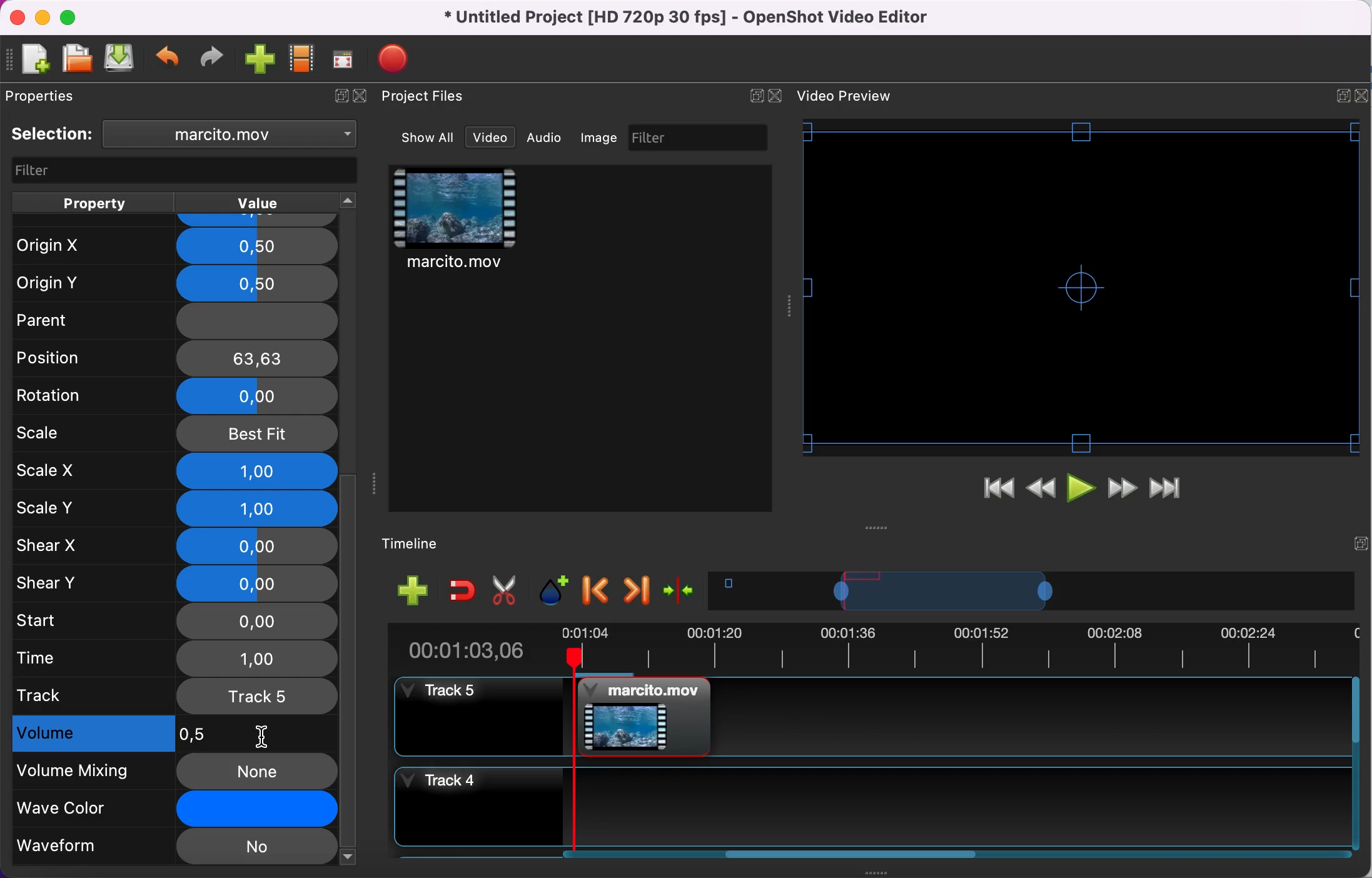 The width and height of the screenshot is (1372, 878). Describe the element at coordinates (72, 17) in the screenshot. I see `maximize` at that location.